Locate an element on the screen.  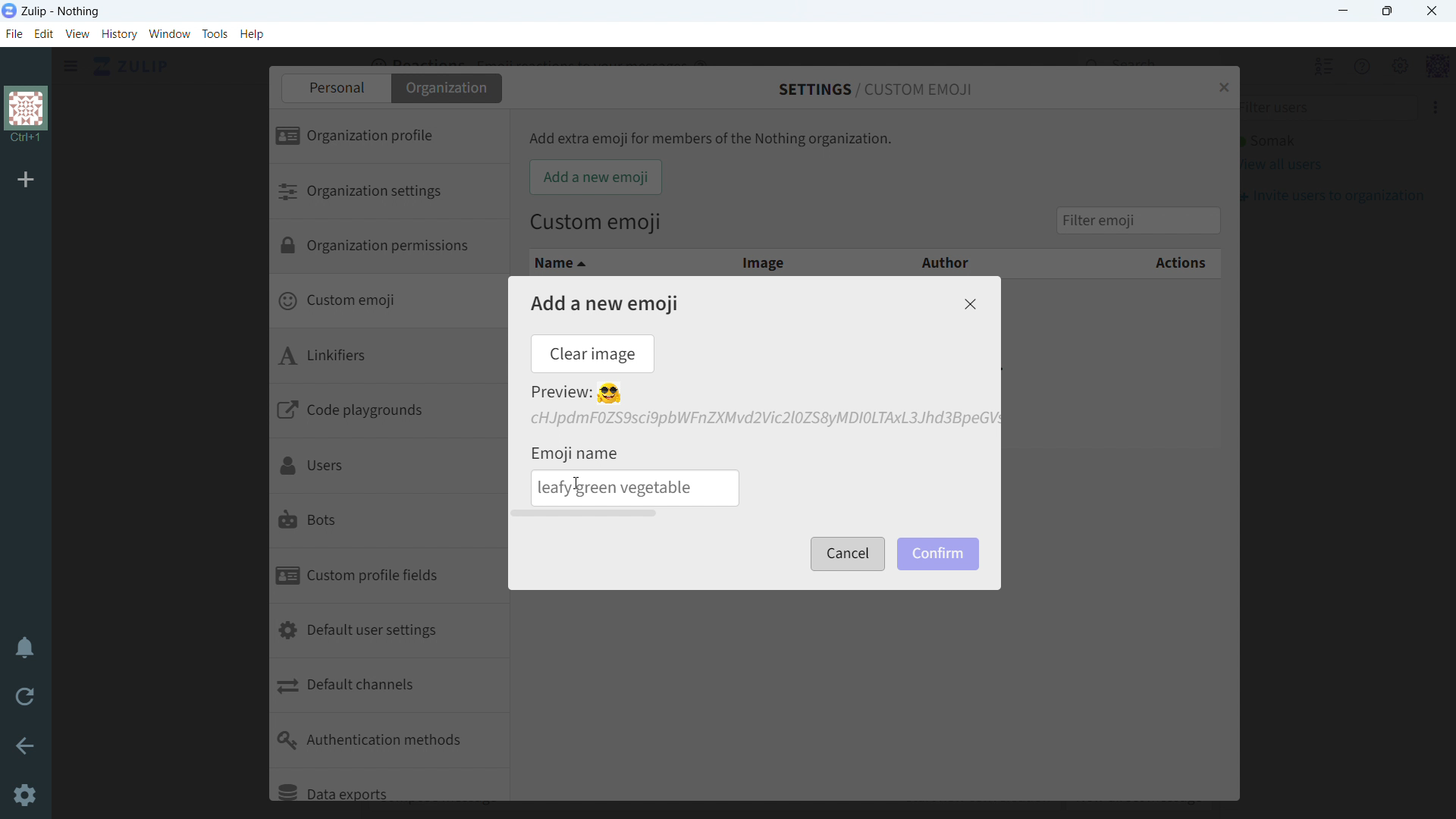
invite users is located at coordinates (1419, 108).